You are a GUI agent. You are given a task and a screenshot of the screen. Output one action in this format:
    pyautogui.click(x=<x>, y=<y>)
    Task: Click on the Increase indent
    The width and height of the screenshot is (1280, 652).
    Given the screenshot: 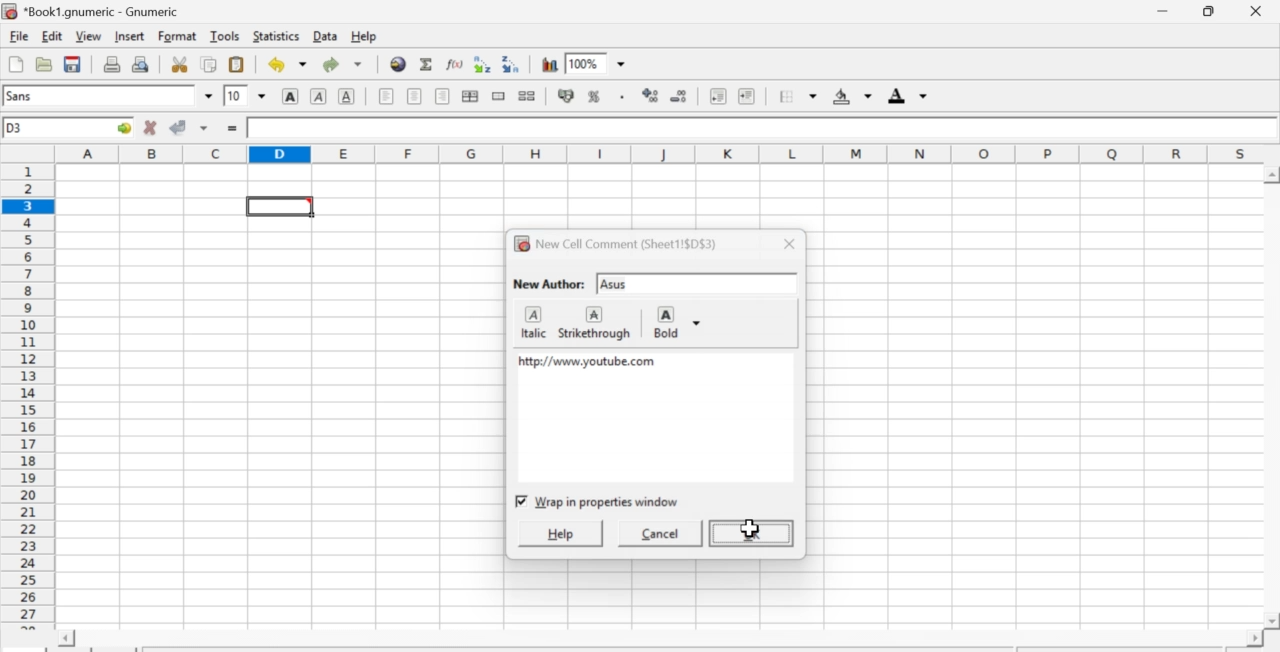 What is the action you would take?
    pyautogui.click(x=751, y=96)
    